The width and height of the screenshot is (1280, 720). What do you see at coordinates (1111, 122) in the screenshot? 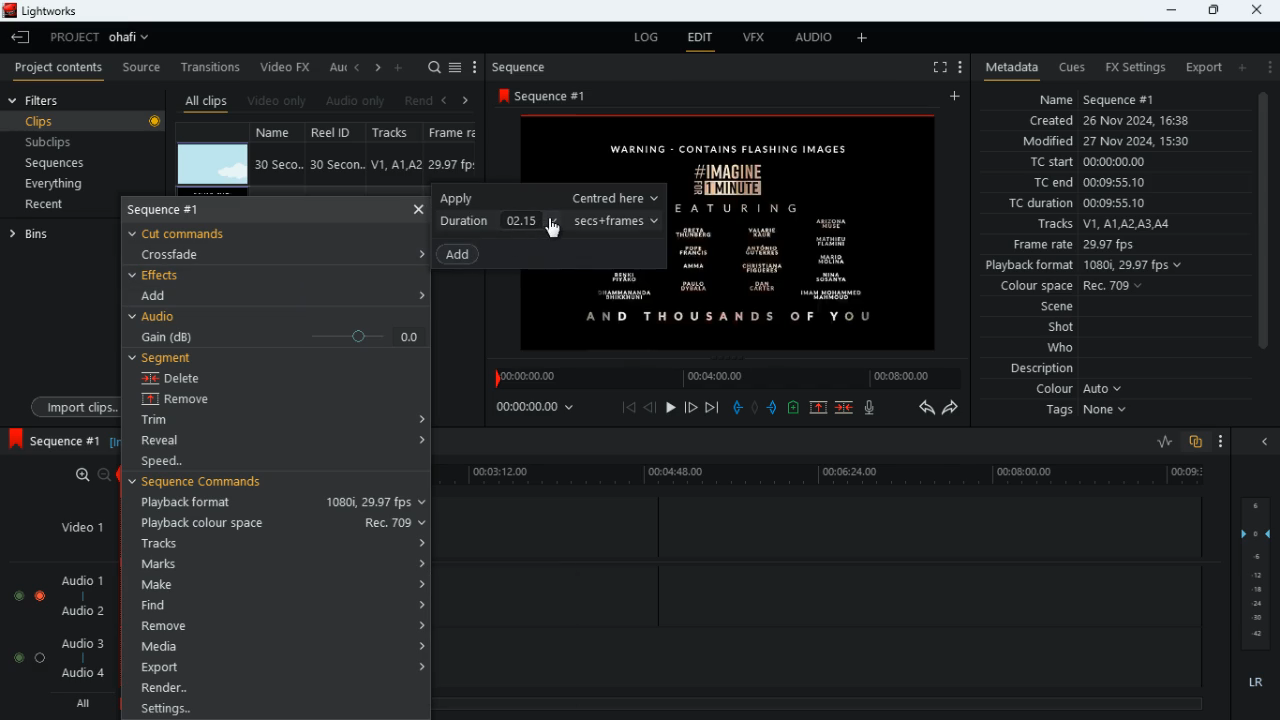
I see `created` at bounding box center [1111, 122].